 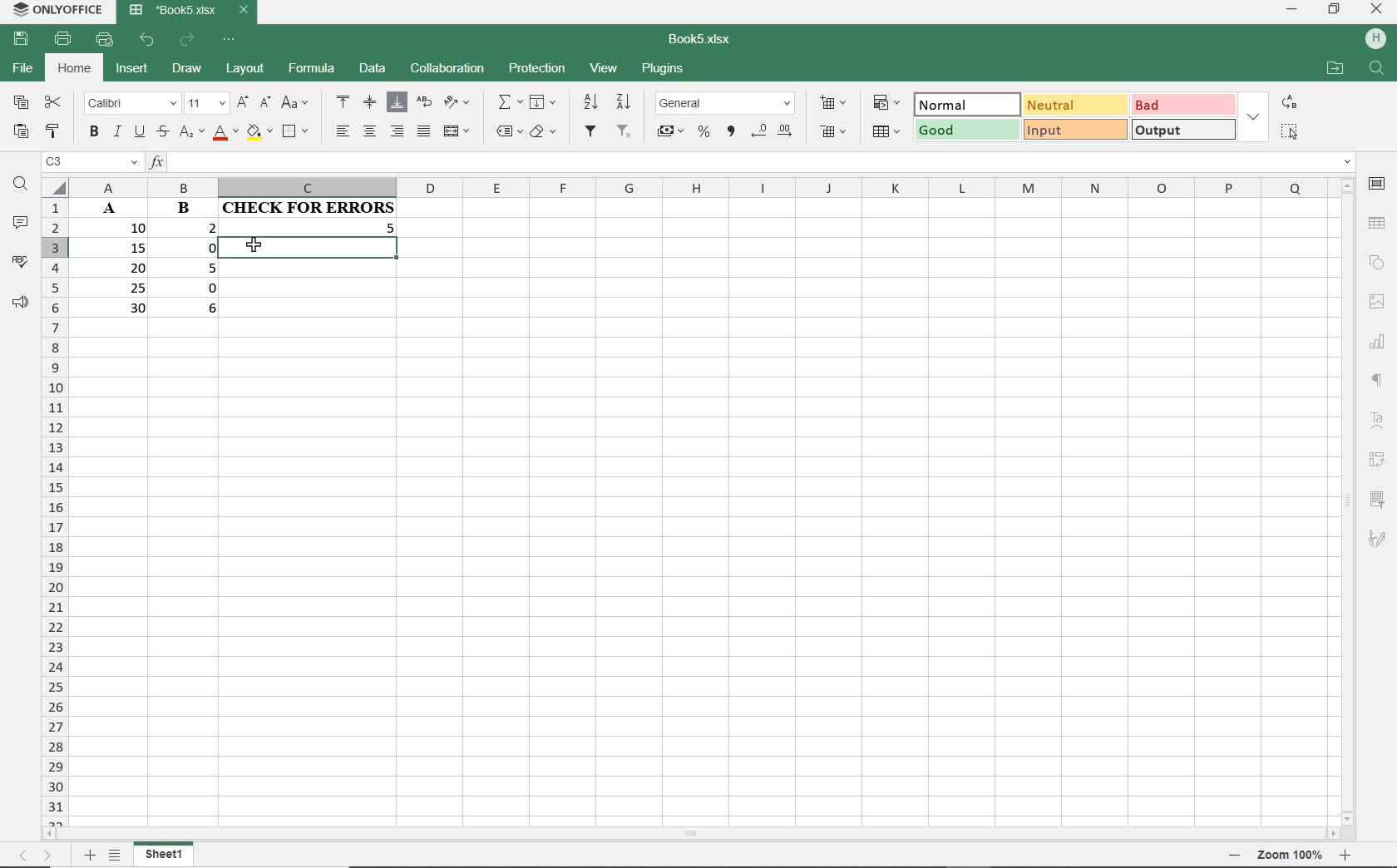 I want to click on , so click(x=1379, y=221).